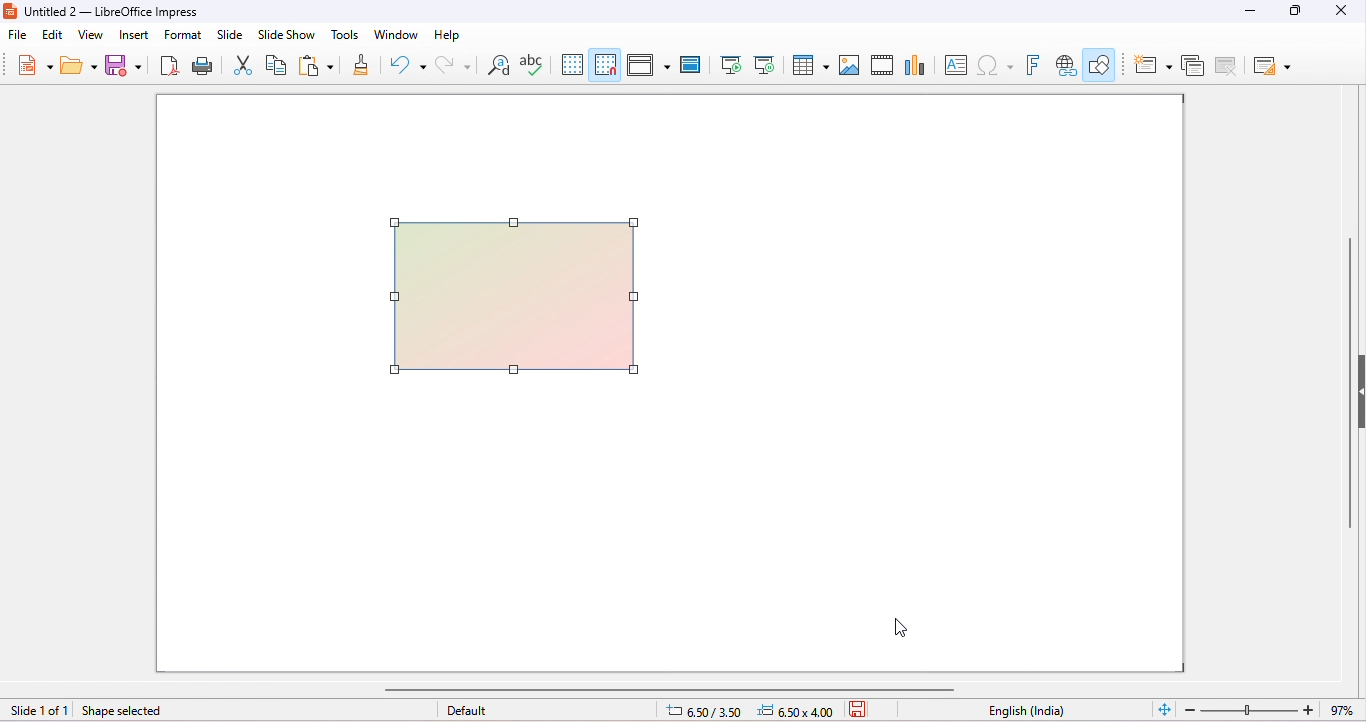  What do you see at coordinates (1153, 66) in the screenshot?
I see `new slide` at bounding box center [1153, 66].